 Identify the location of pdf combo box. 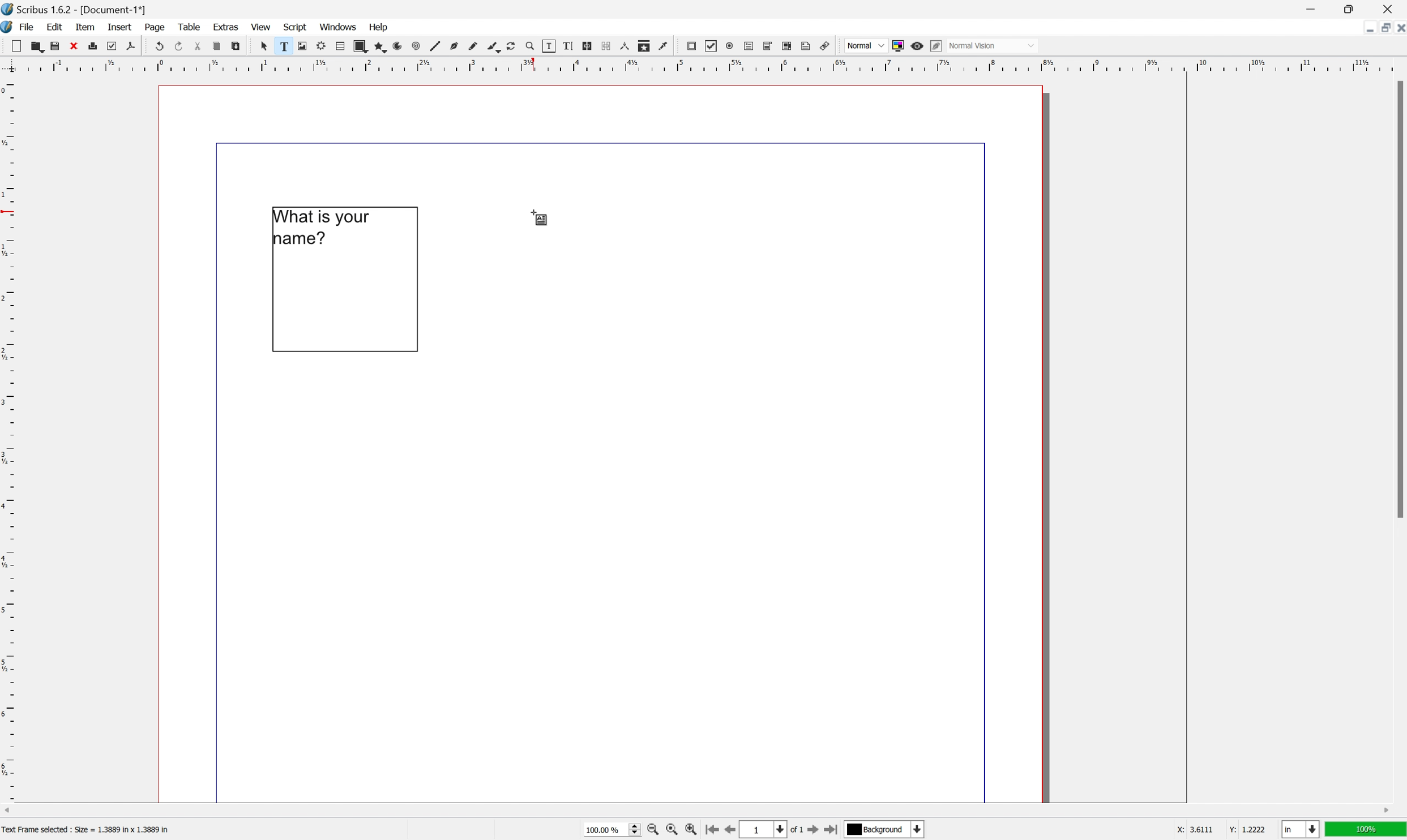
(767, 45).